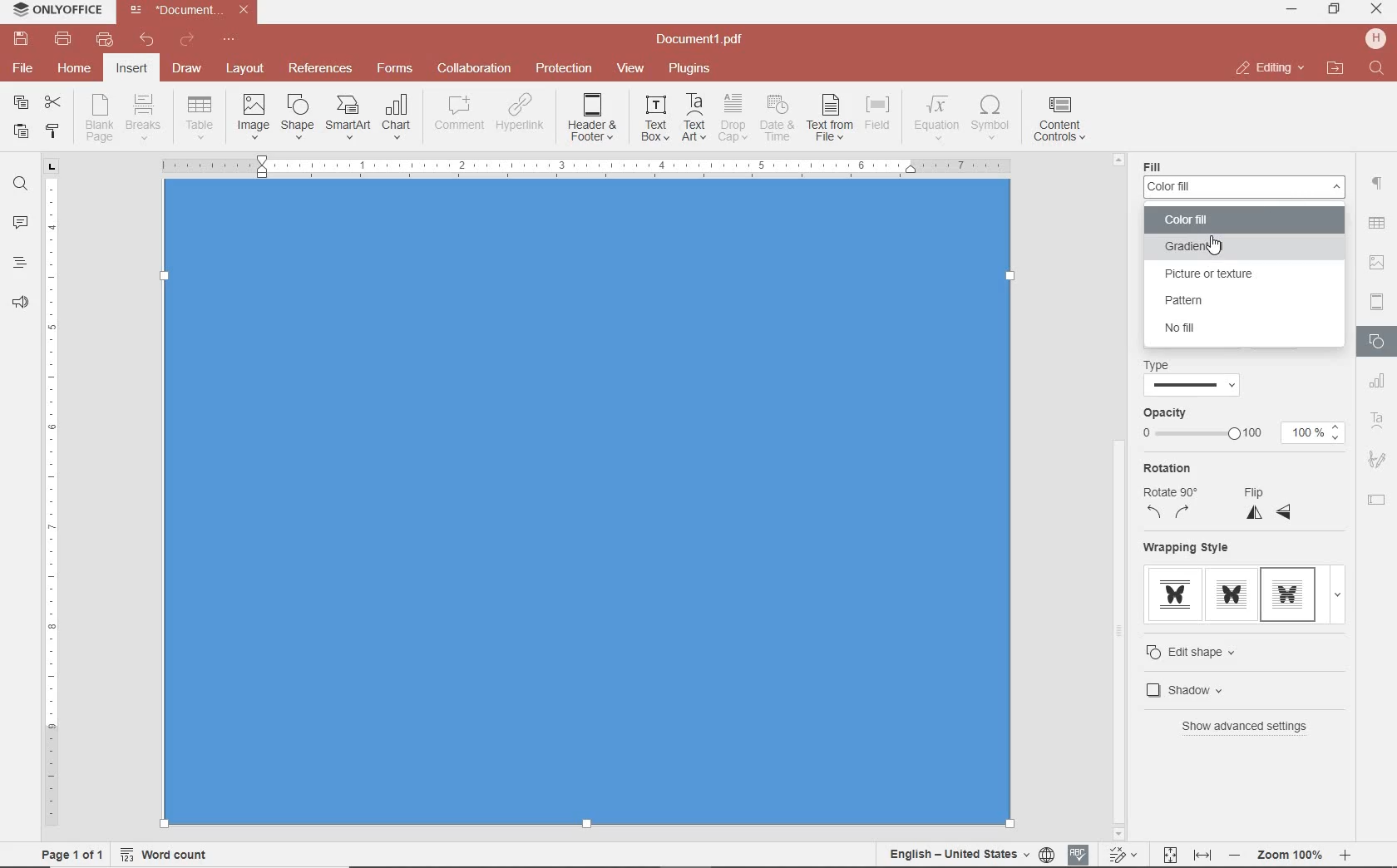 The image size is (1397, 868). I want to click on spell checking, so click(1079, 855).